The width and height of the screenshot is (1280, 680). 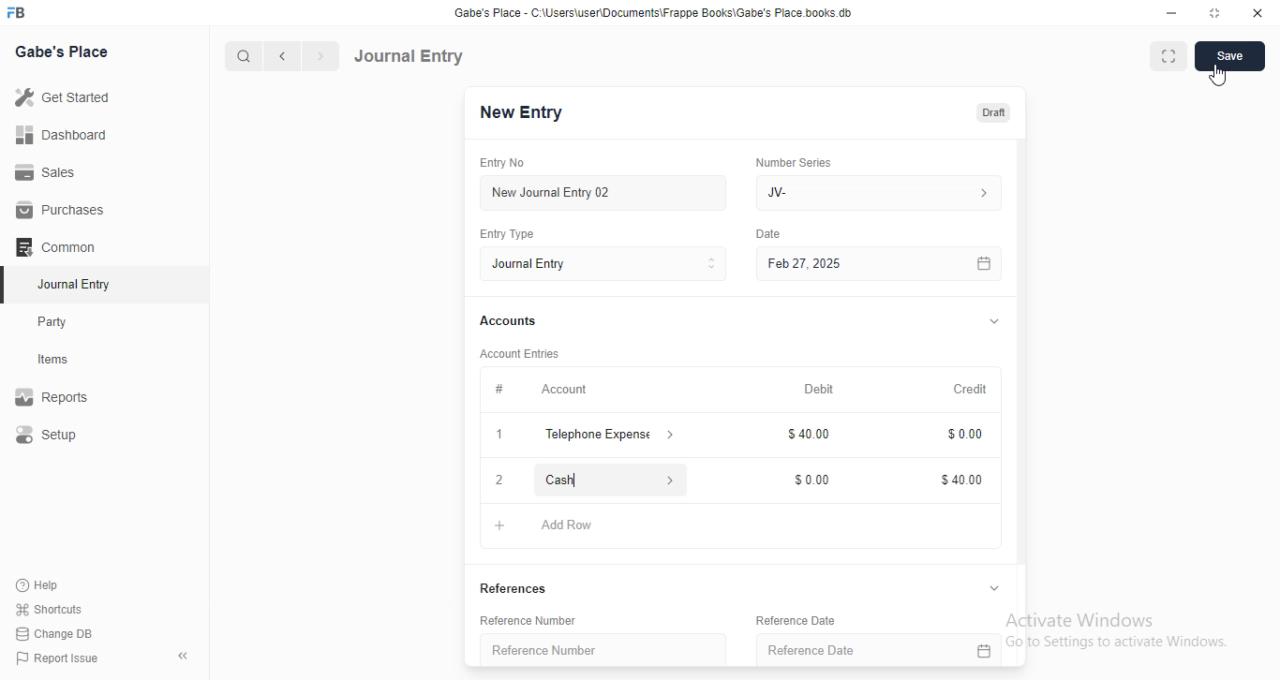 I want to click on Next, so click(x=319, y=56).